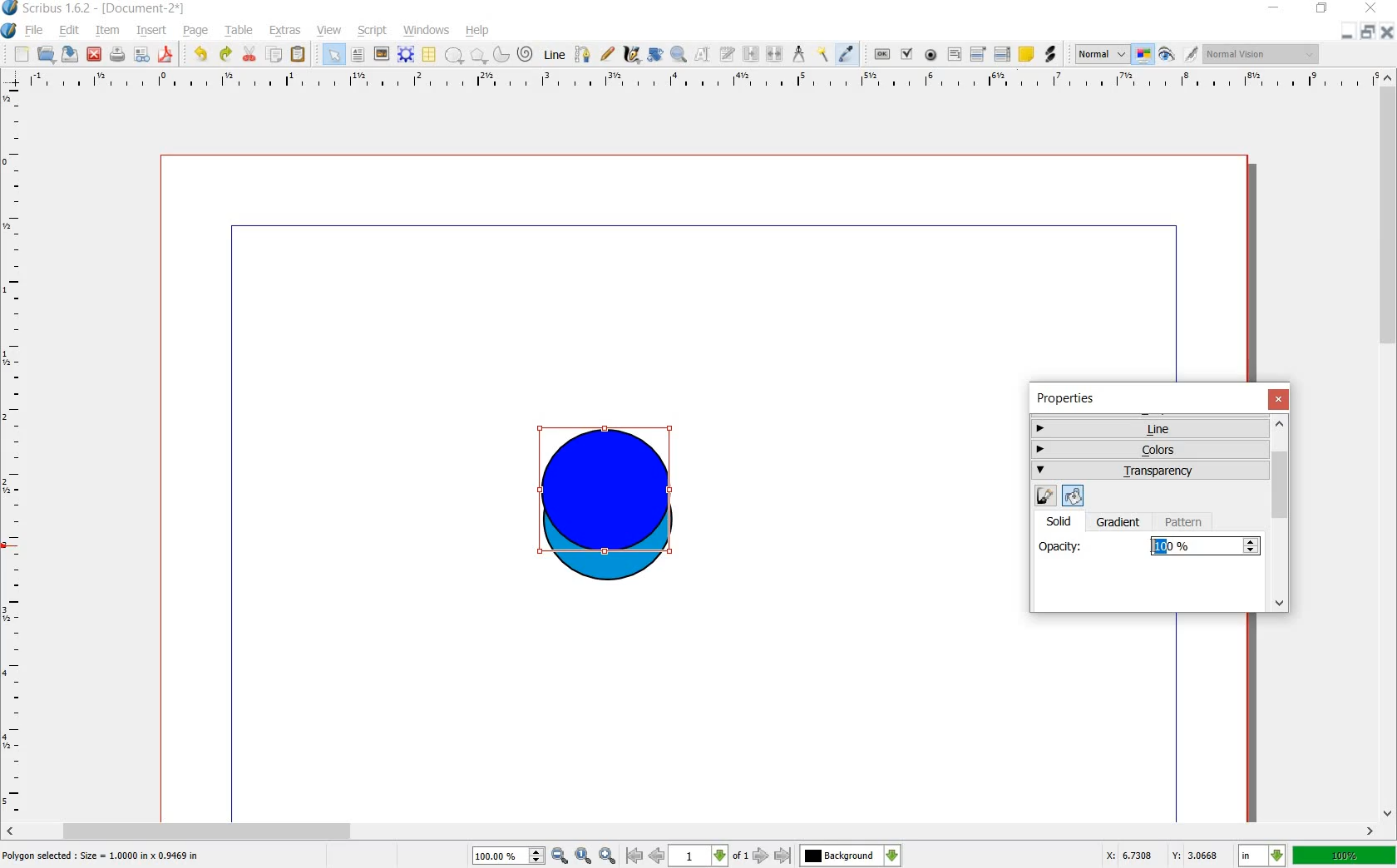 This screenshot has height=868, width=1397. What do you see at coordinates (428, 55) in the screenshot?
I see `table` at bounding box center [428, 55].